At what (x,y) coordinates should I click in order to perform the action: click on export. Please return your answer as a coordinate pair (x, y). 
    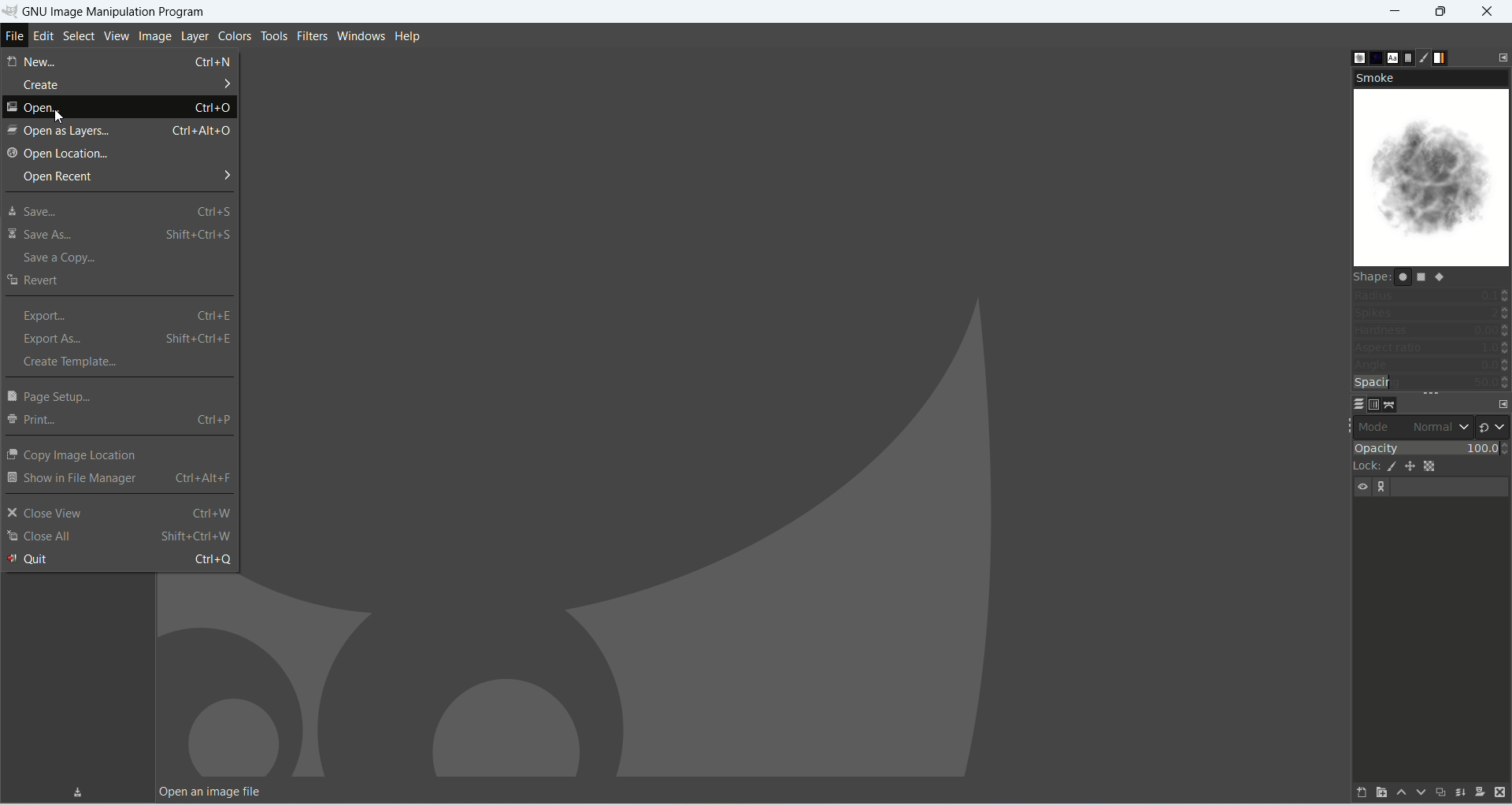
    Looking at the image, I should click on (131, 316).